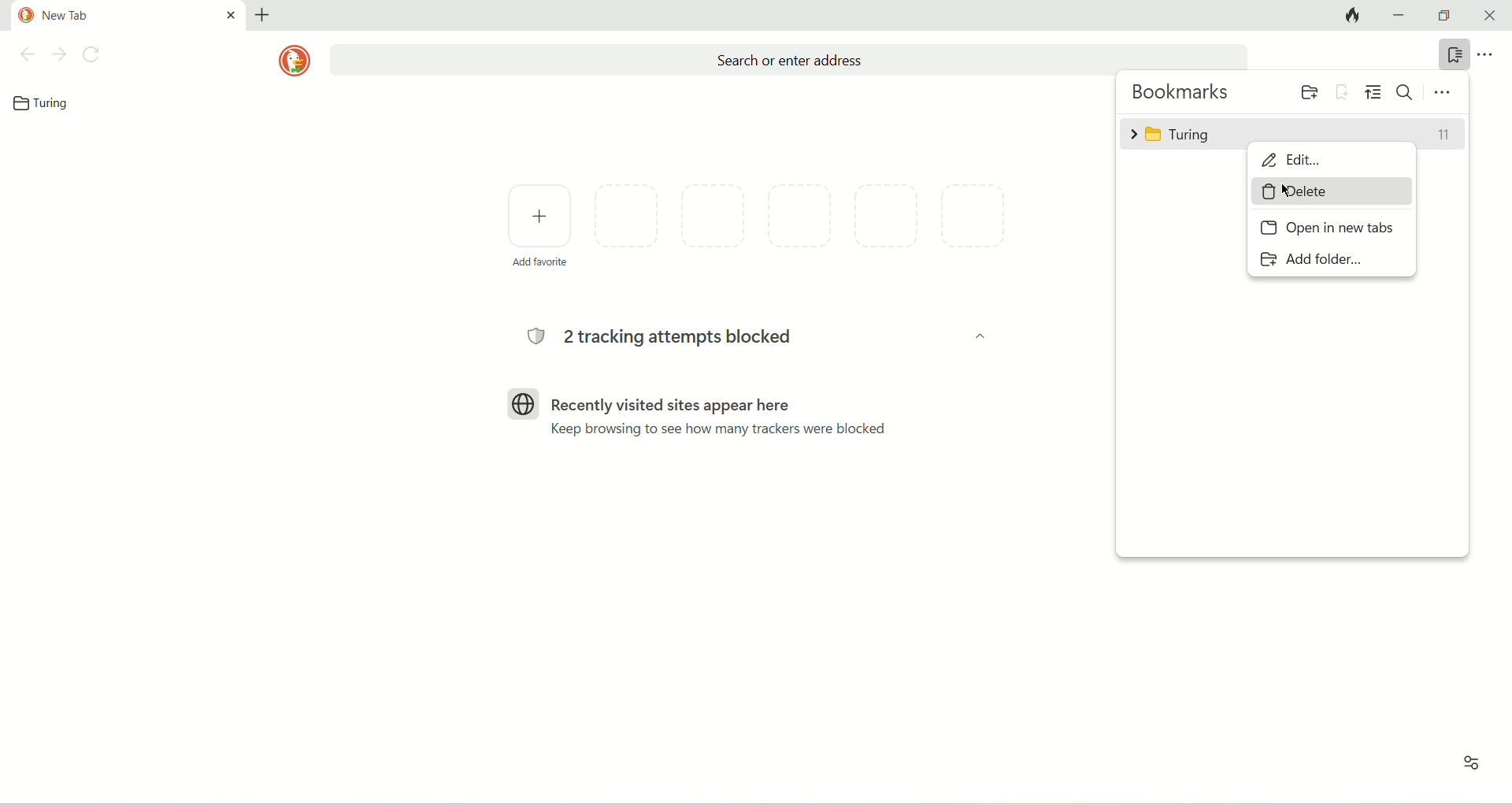  I want to click on maximize, so click(1447, 16).